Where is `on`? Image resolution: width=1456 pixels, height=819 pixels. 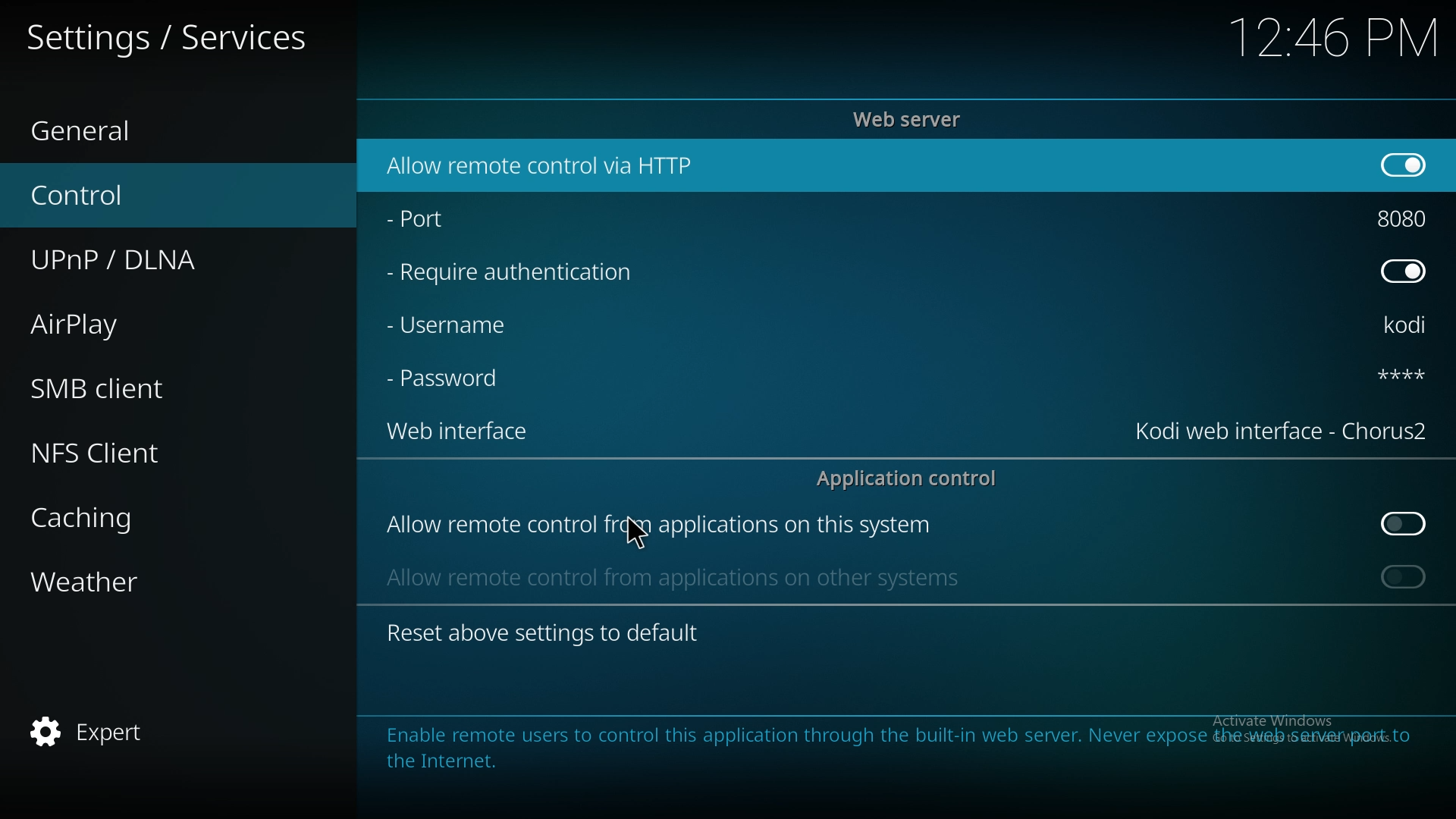
on is located at coordinates (1404, 576).